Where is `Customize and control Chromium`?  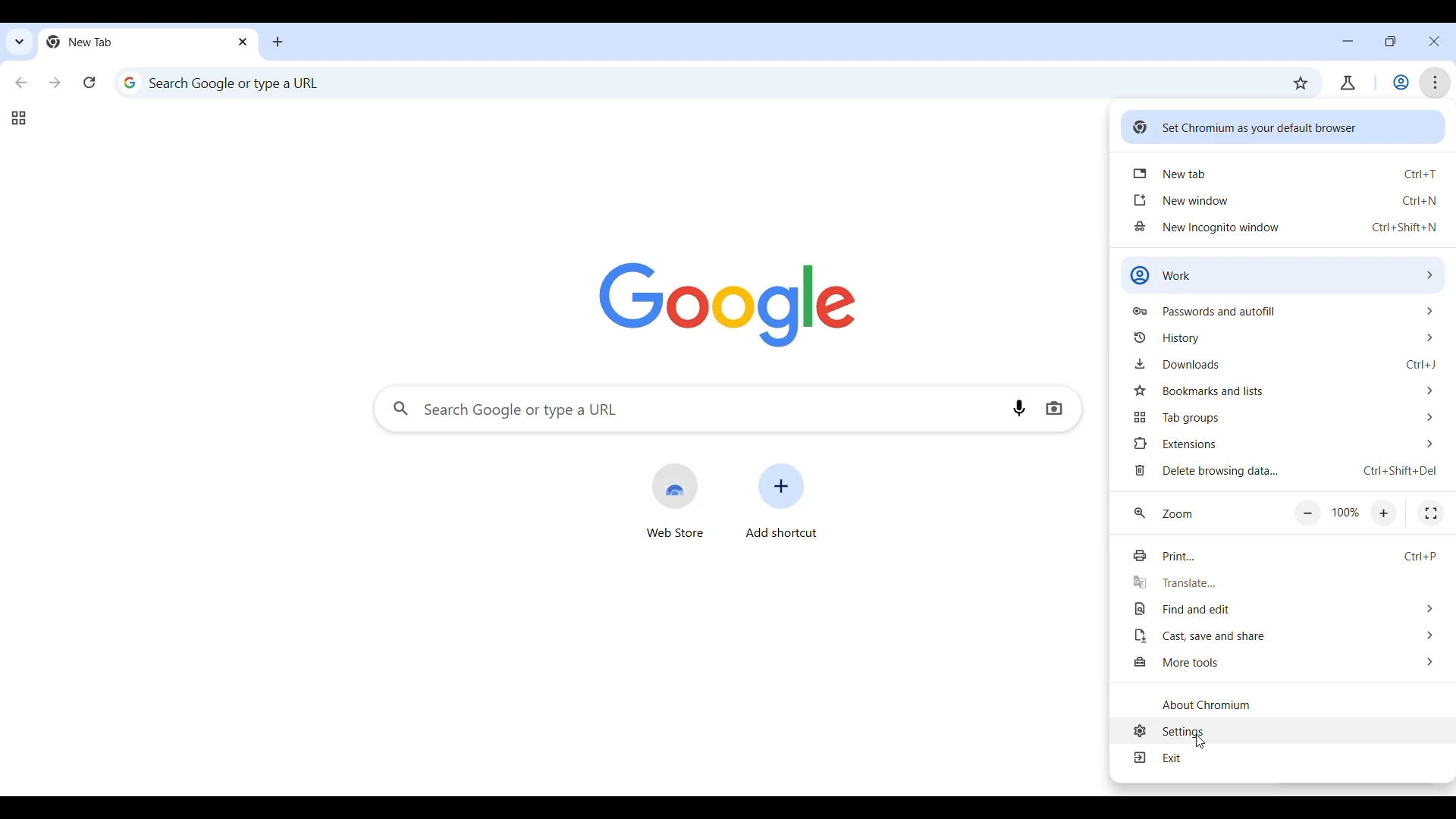
Customize and control Chromium is located at coordinates (1432, 82).